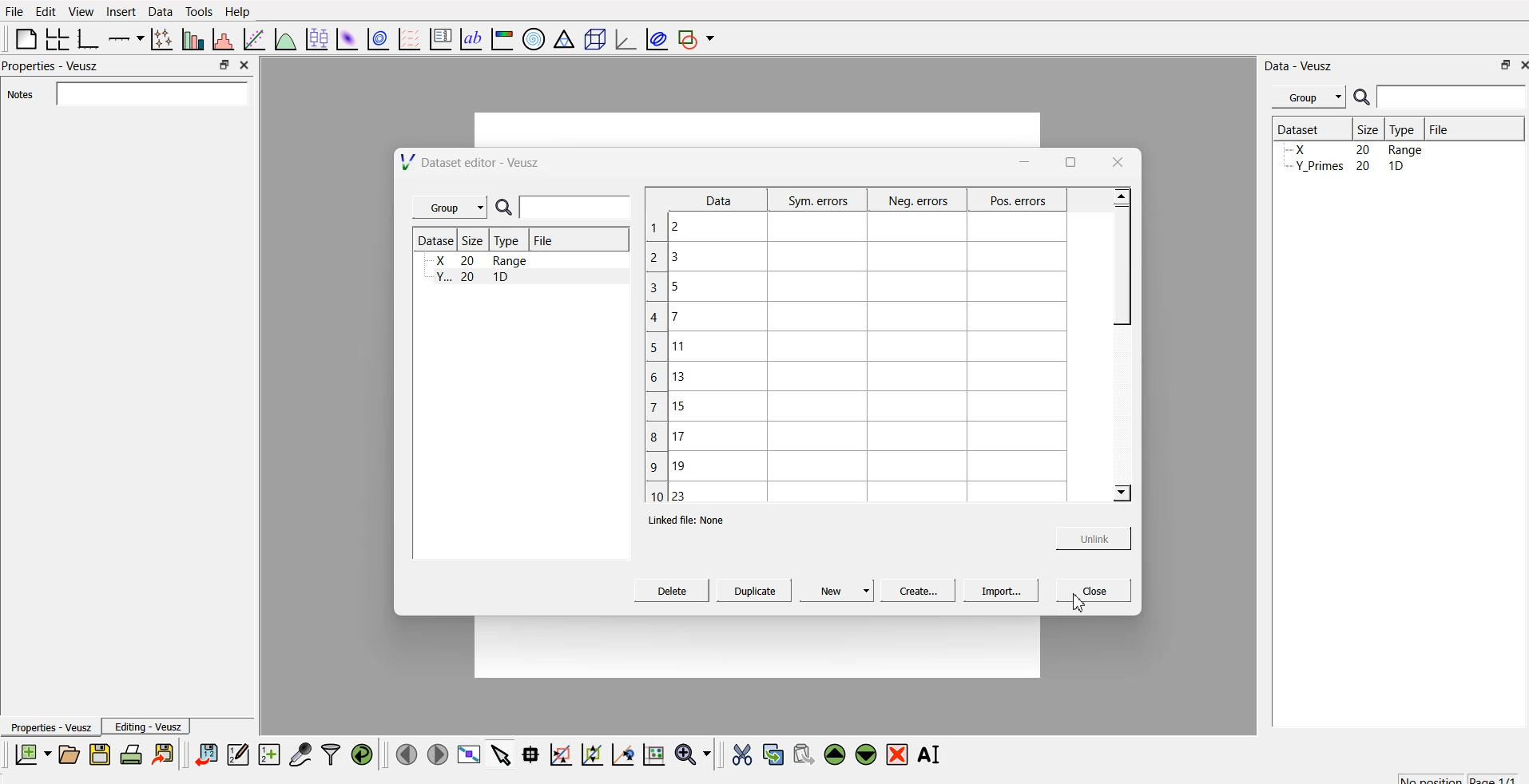 Image resolution: width=1529 pixels, height=784 pixels. Describe the element at coordinates (672, 592) in the screenshot. I see `Delete` at that location.